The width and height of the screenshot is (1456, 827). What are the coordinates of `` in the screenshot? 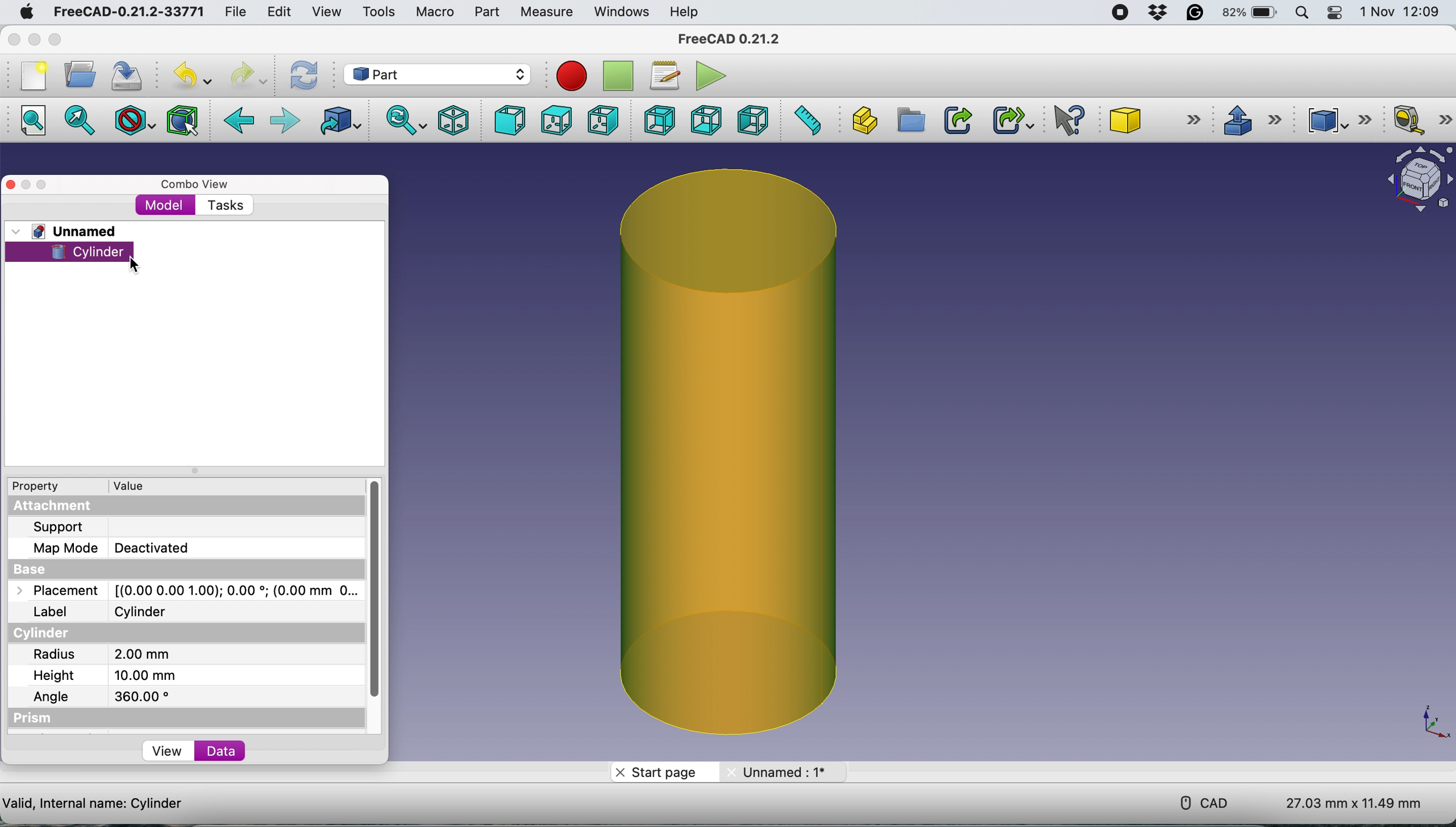 It's located at (39, 94).